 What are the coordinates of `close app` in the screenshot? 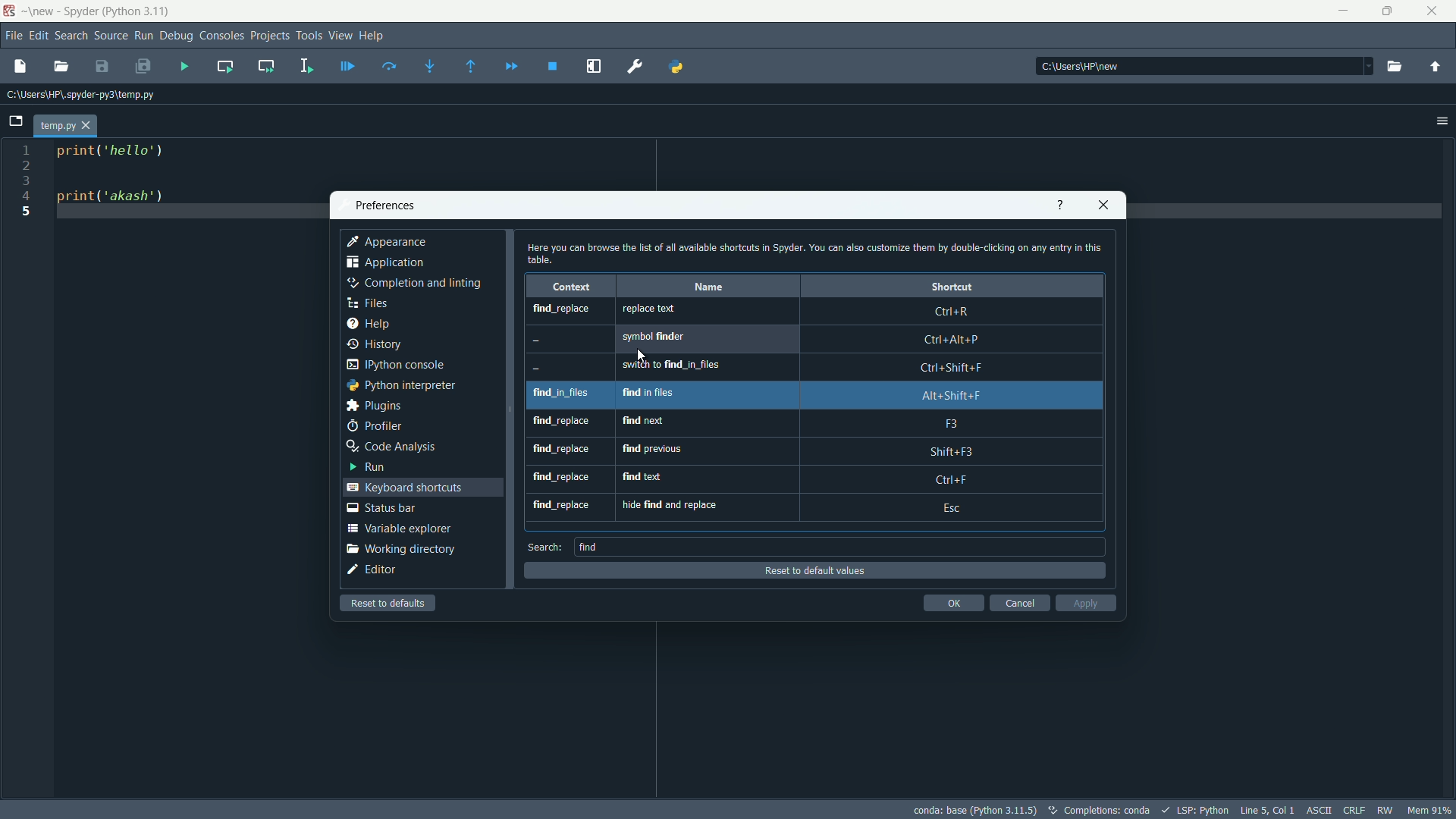 It's located at (1432, 11).